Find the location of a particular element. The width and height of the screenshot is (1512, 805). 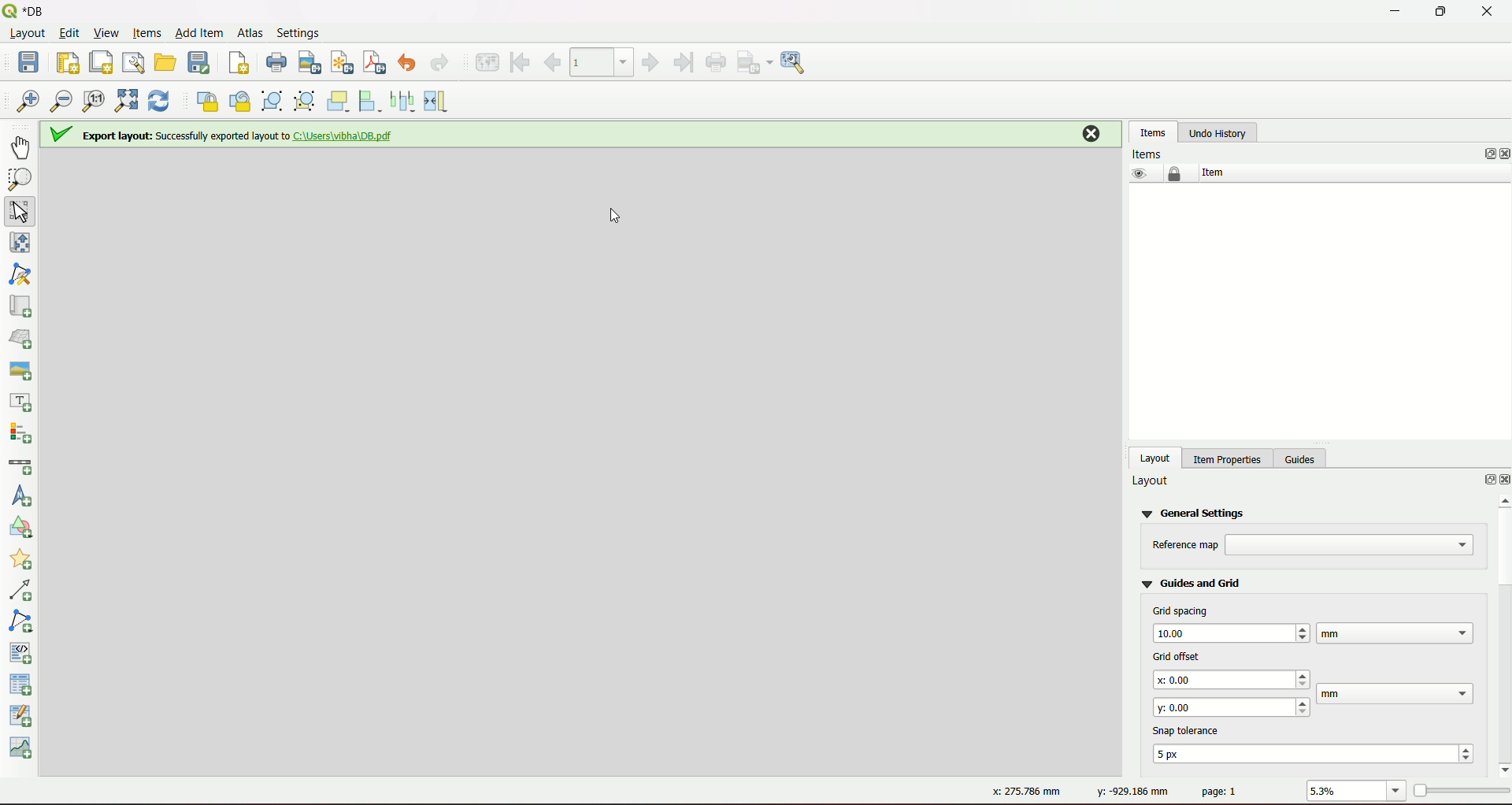

duplicate layout is located at coordinates (101, 61).